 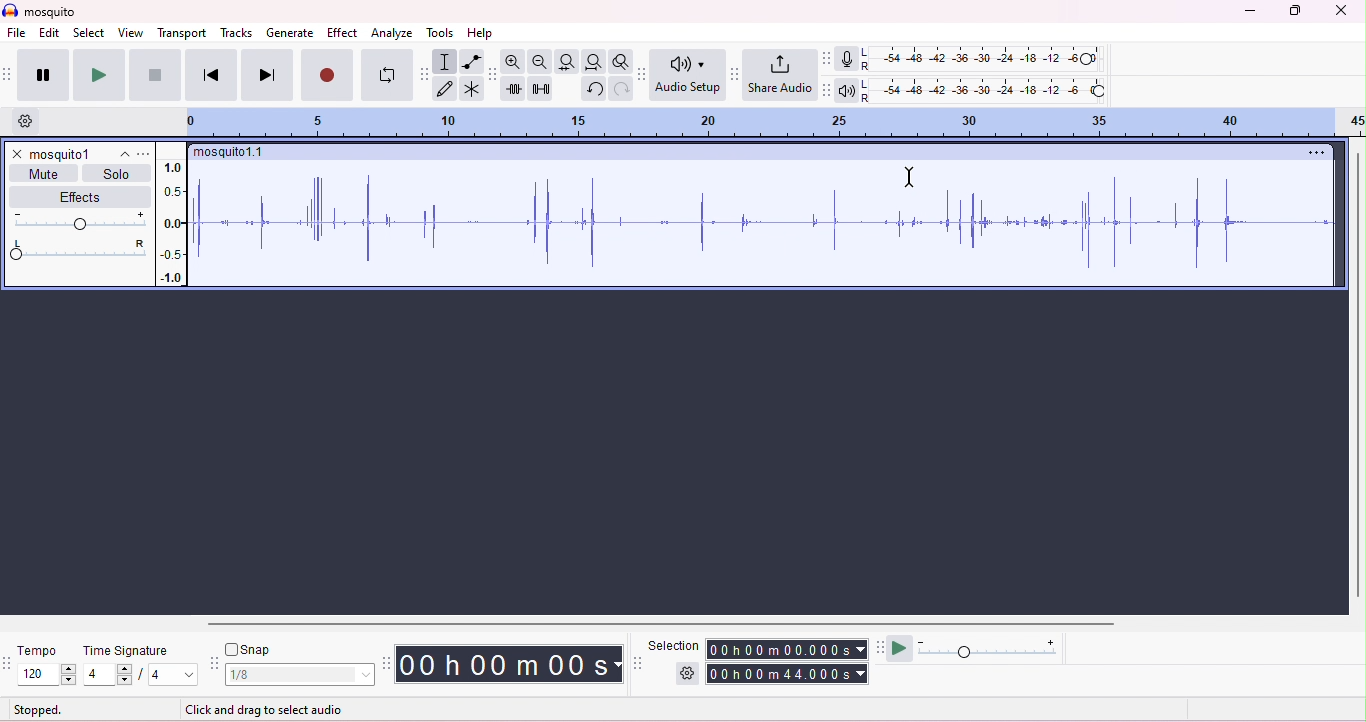 What do you see at coordinates (787, 674) in the screenshot?
I see `total time` at bounding box center [787, 674].